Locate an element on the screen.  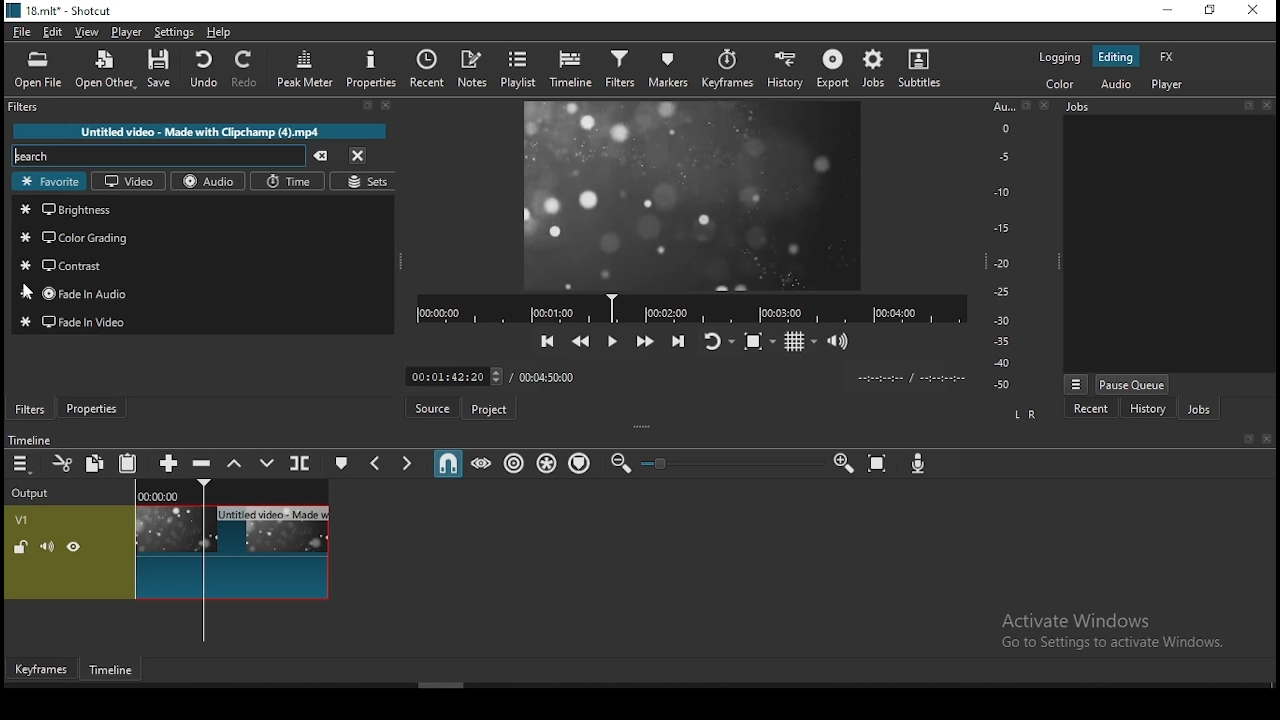
player is located at coordinates (127, 32).